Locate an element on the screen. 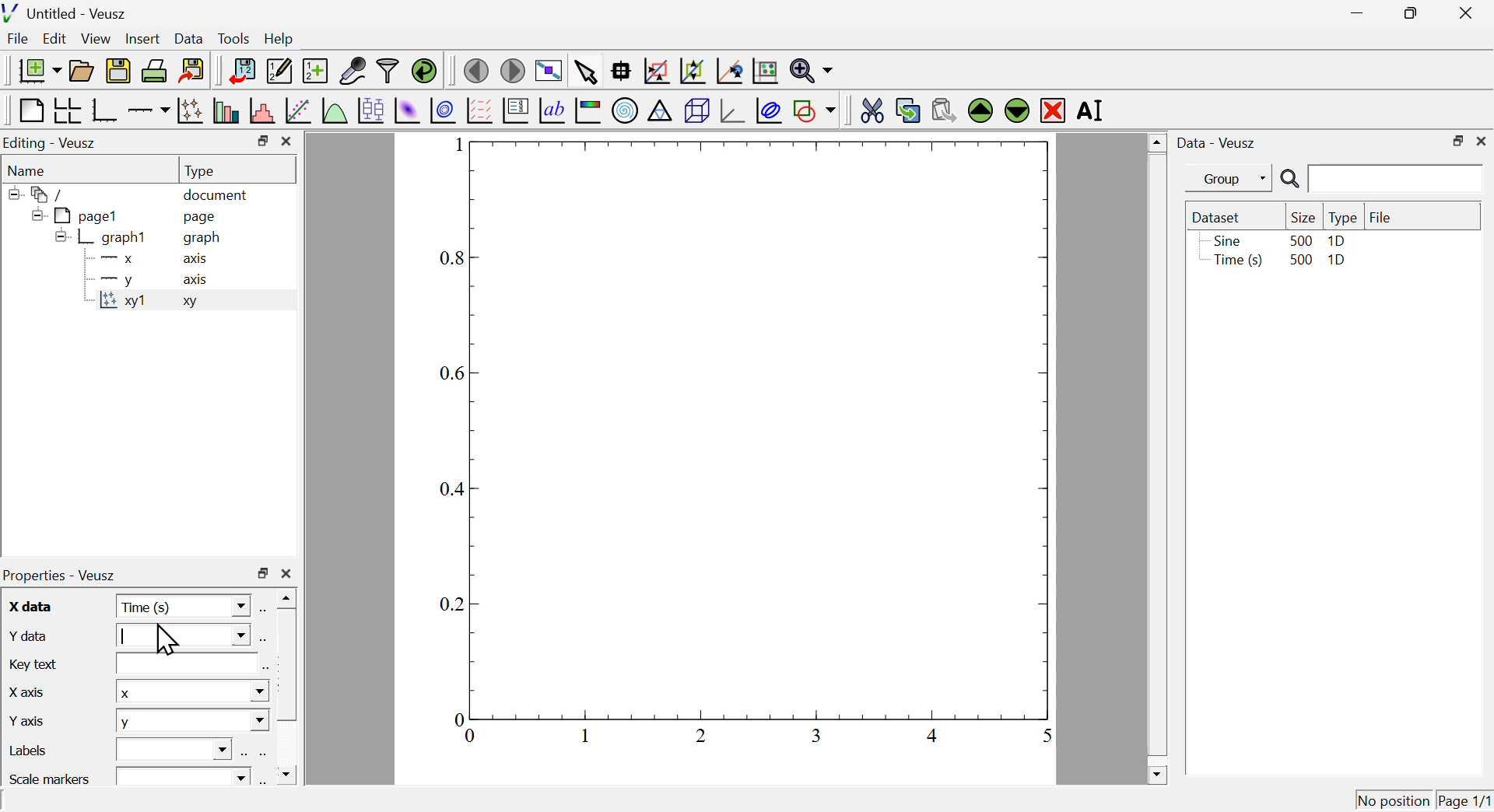 This screenshot has width=1494, height=812. rest graph axes is located at coordinates (763, 72).